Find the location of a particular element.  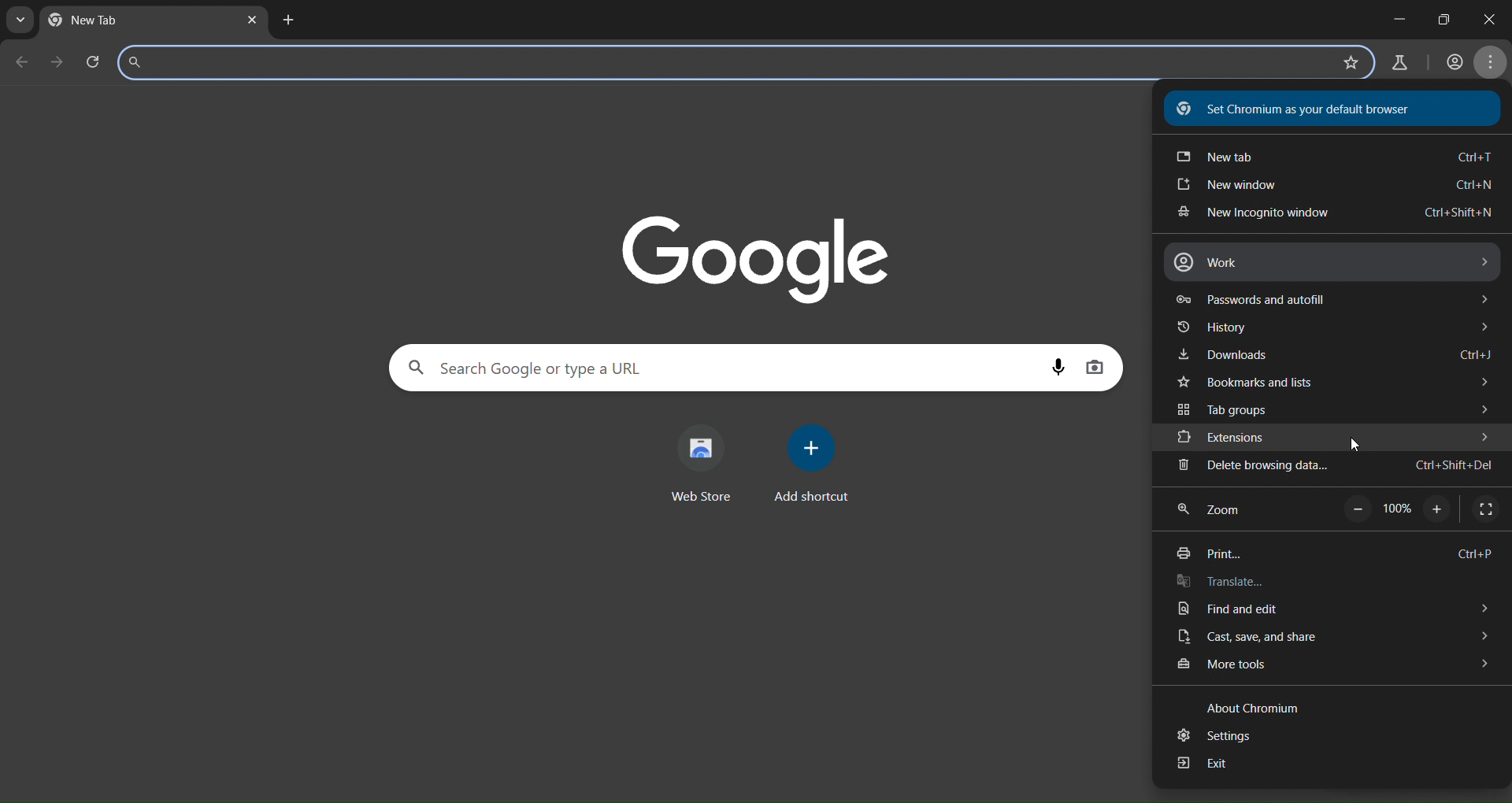

voice search is located at coordinates (1060, 368).